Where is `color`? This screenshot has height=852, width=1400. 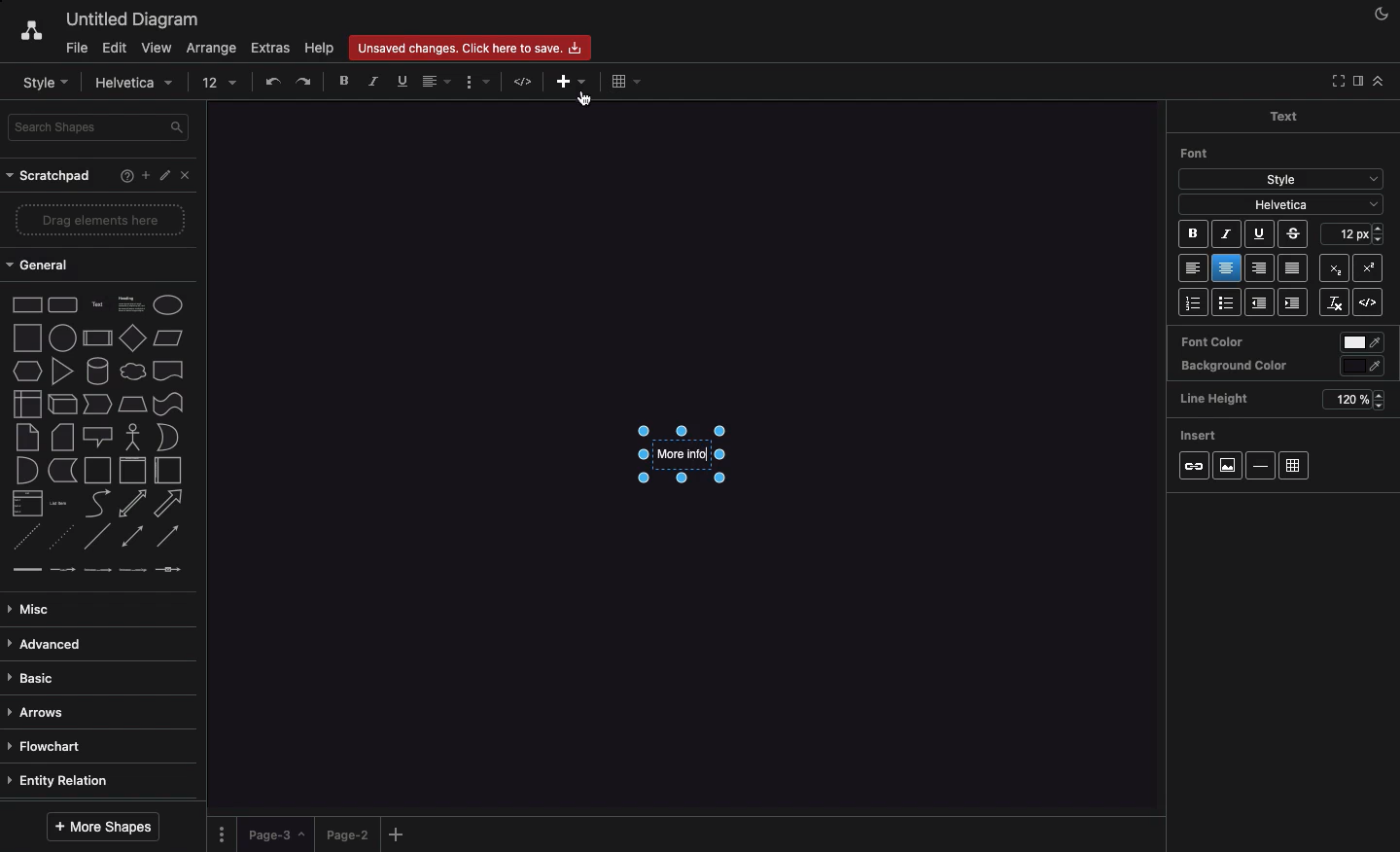
color is located at coordinates (1363, 343).